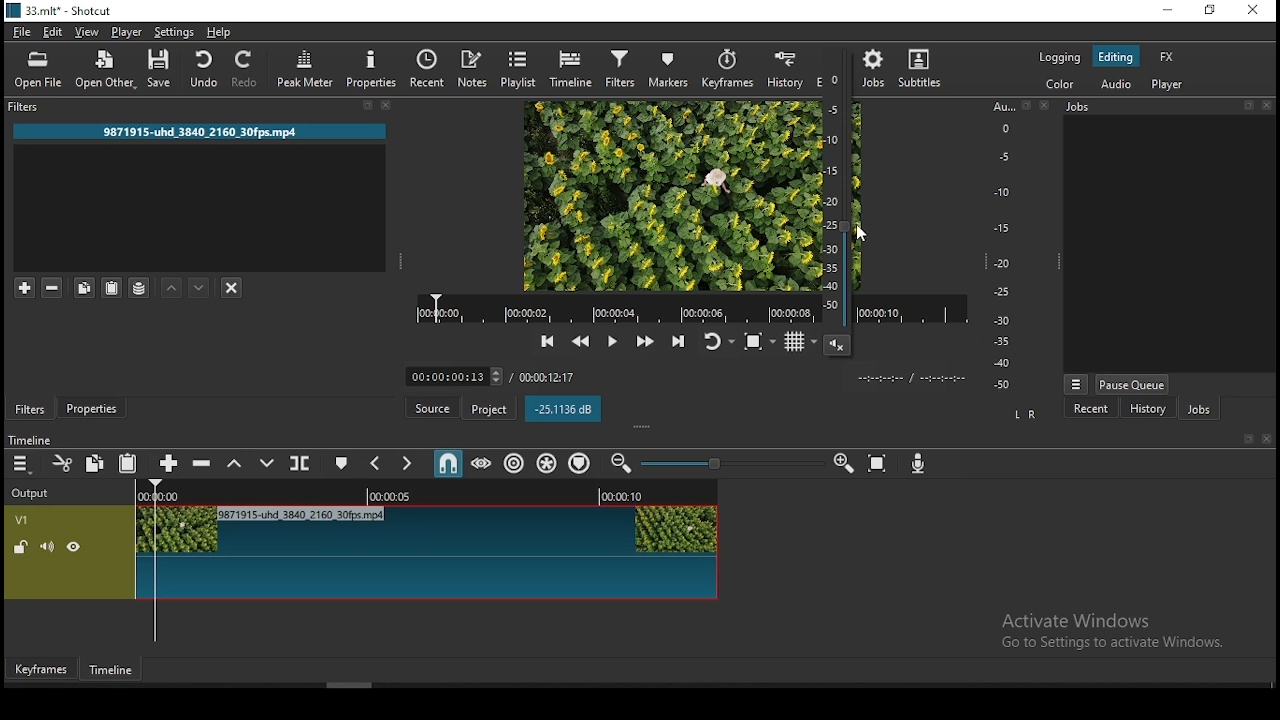 The height and width of the screenshot is (720, 1280). What do you see at coordinates (428, 69) in the screenshot?
I see `split at playhead` at bounding box center [428, 69].